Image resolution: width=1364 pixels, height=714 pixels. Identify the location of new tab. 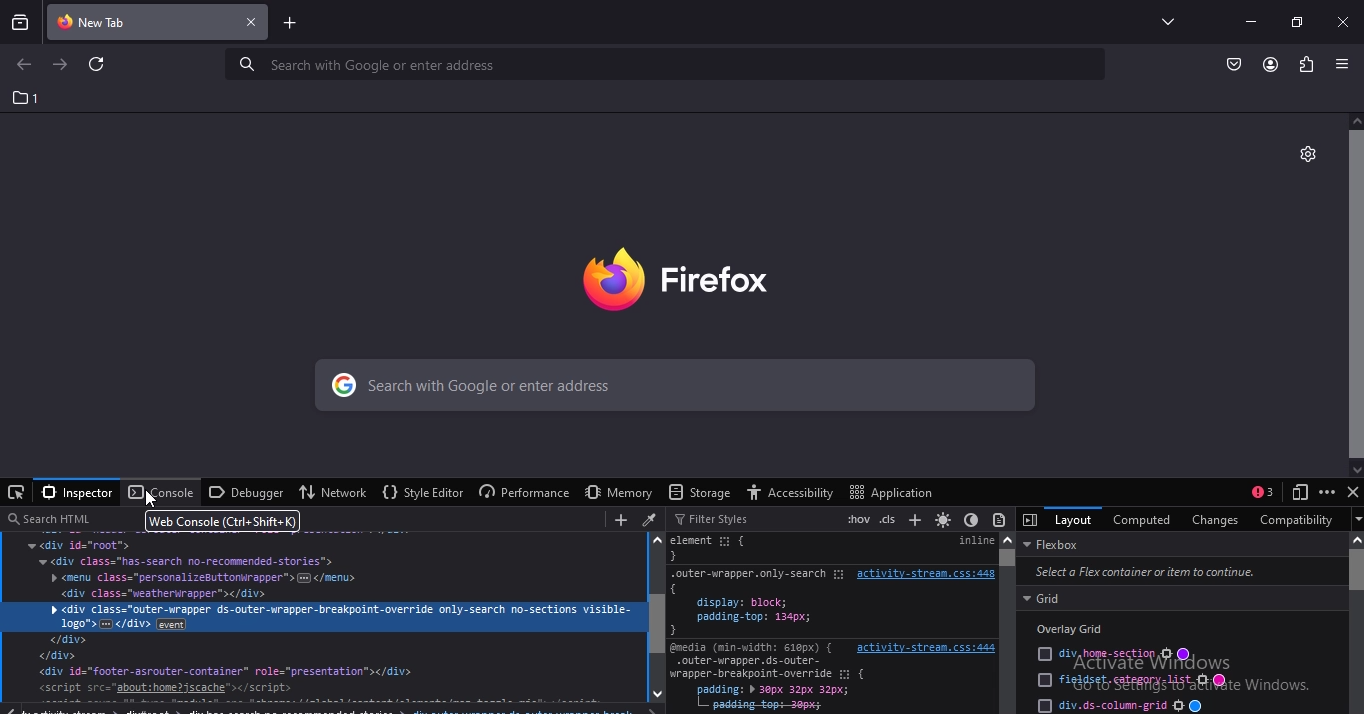
(290, 22).